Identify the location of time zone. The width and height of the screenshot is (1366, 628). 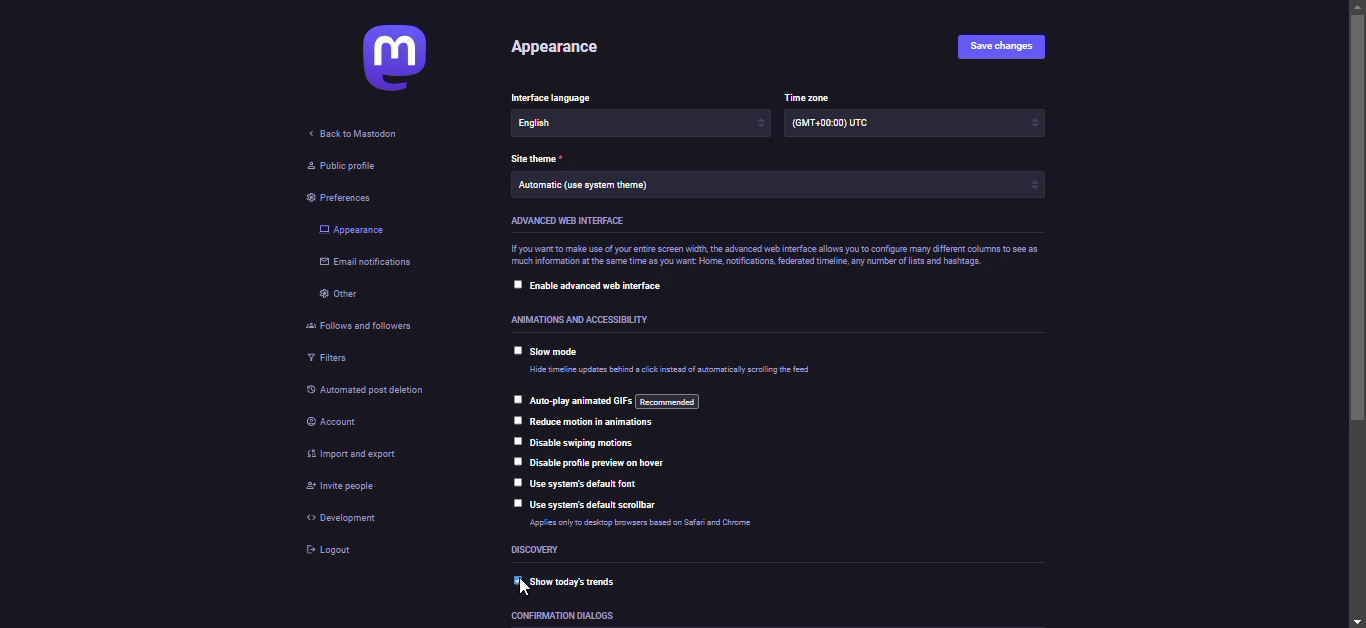
(811, 96).